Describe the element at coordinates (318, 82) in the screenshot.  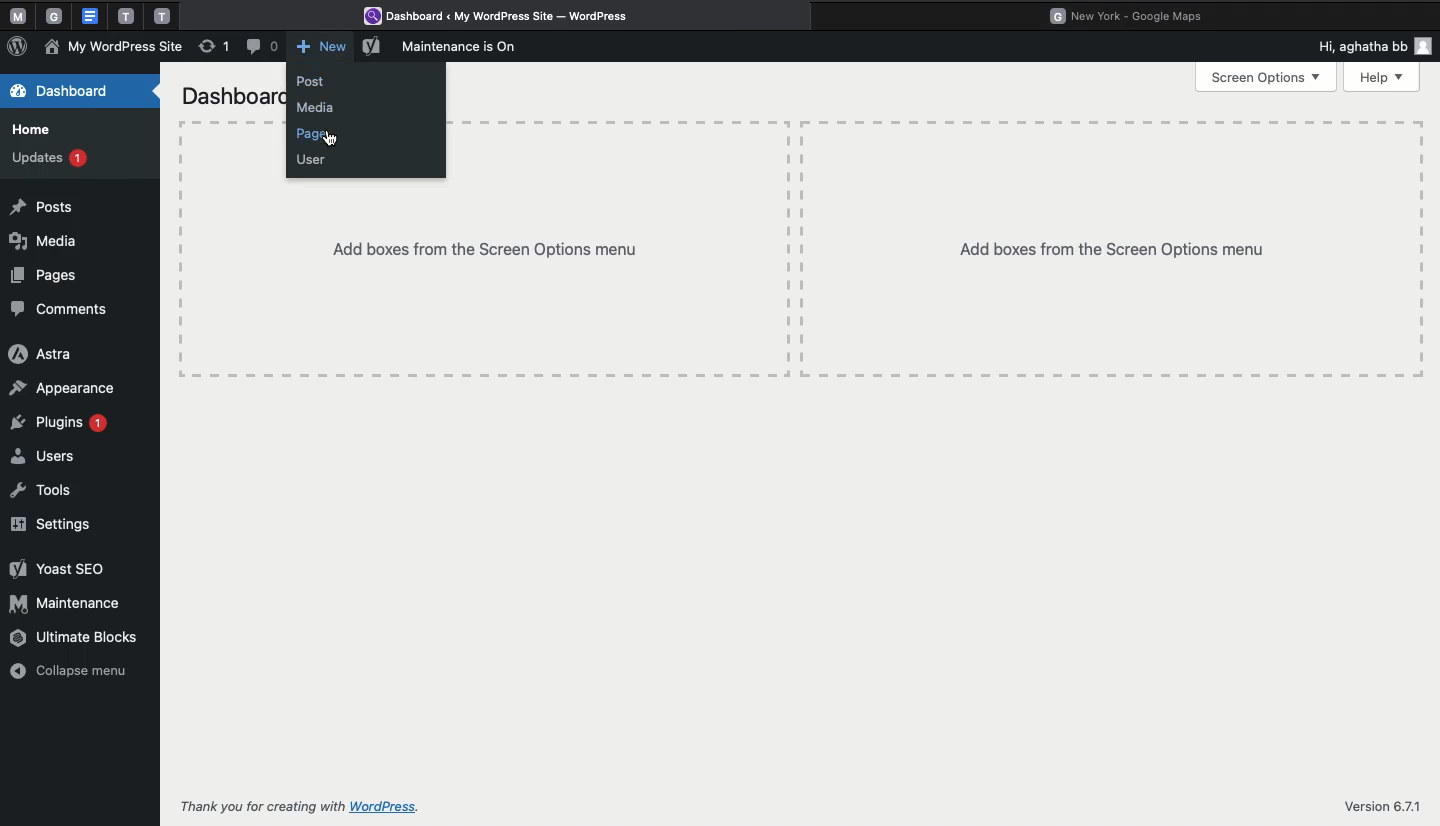
I see `Post` at that location.